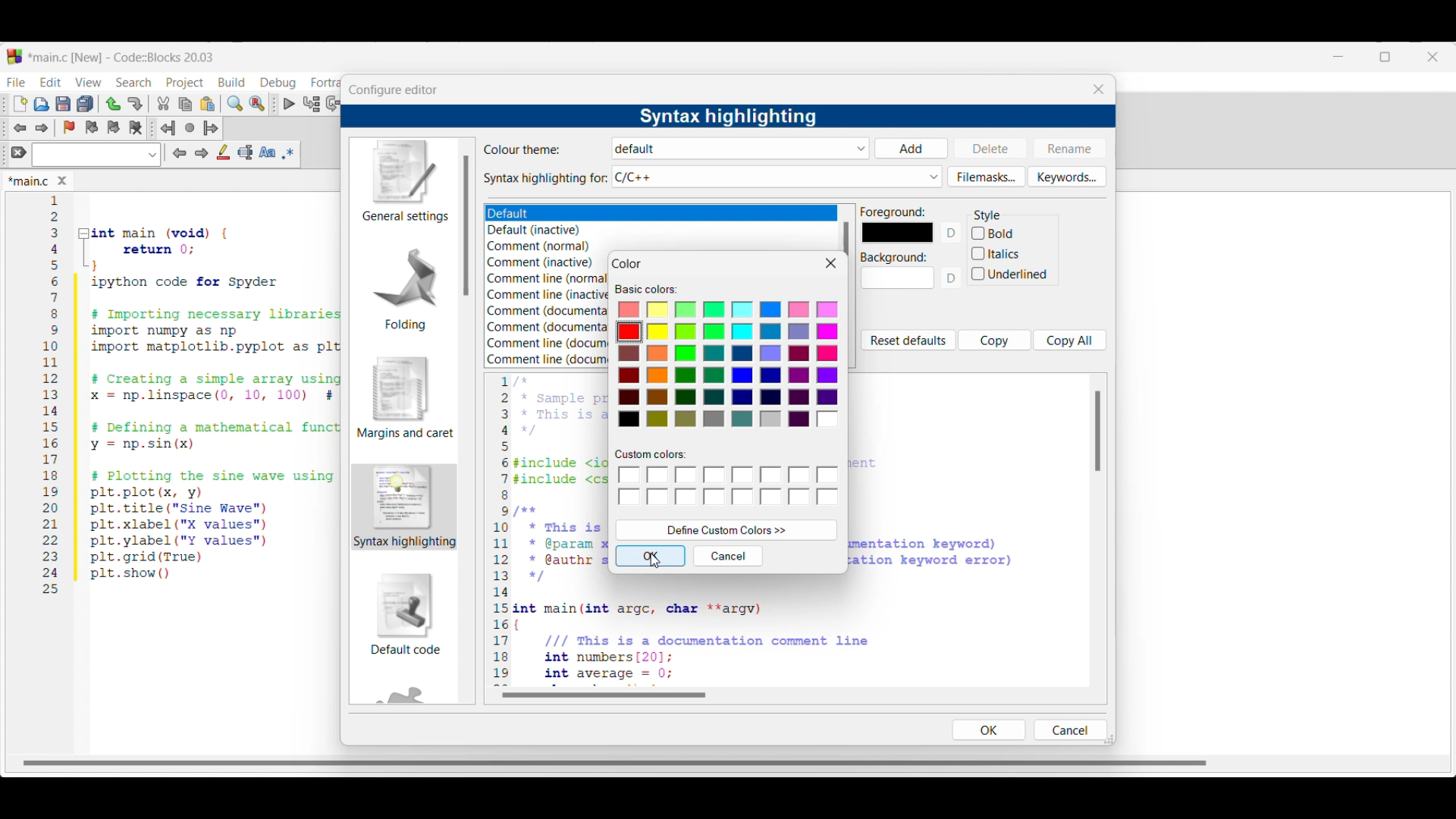 The image size is (1456, 819). Describe the element at coordinates (42, 104) in the screenshot. I see `Open` at that location.